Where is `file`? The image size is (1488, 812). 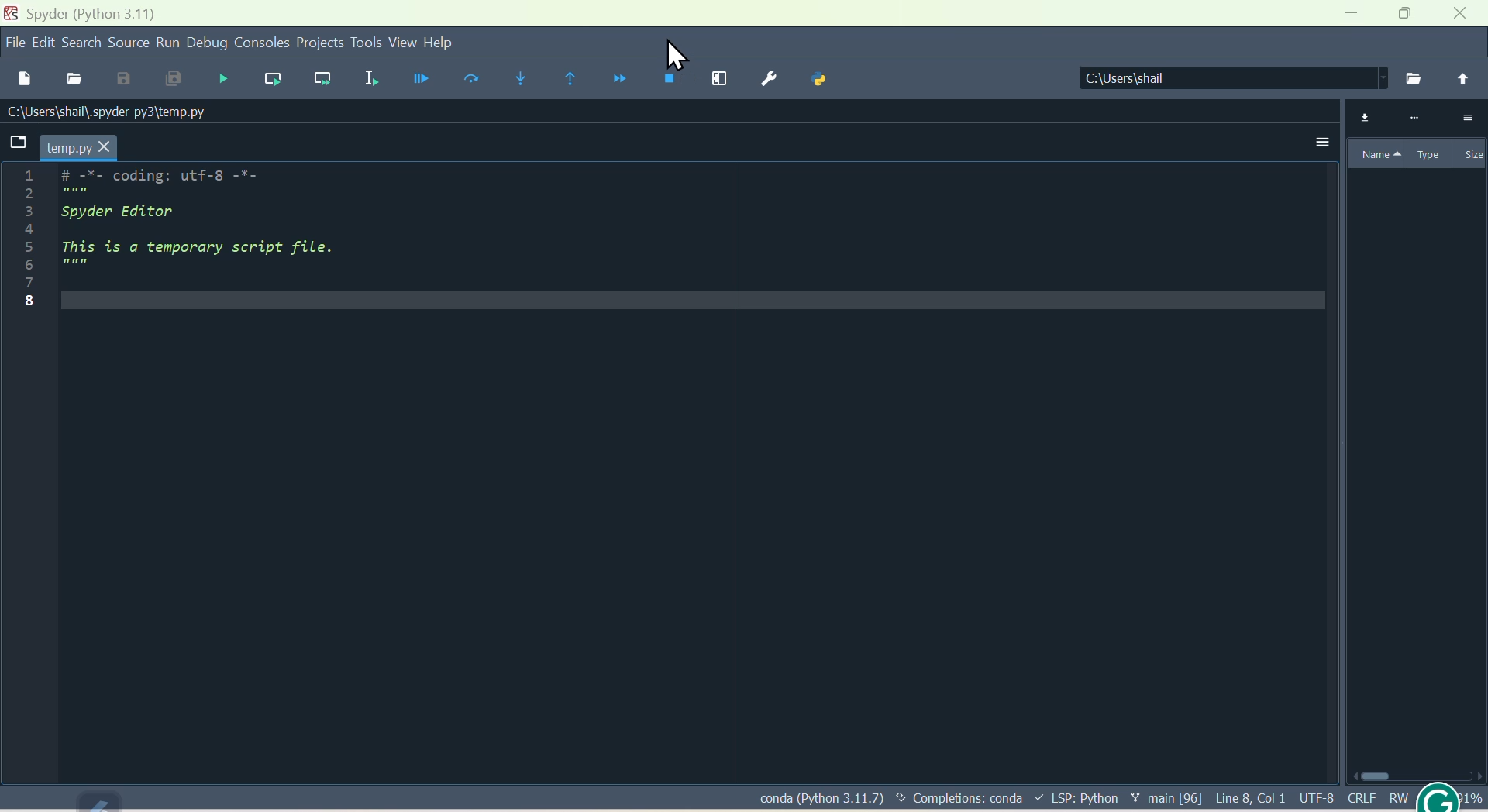 file is located at coordinates (15, 40).